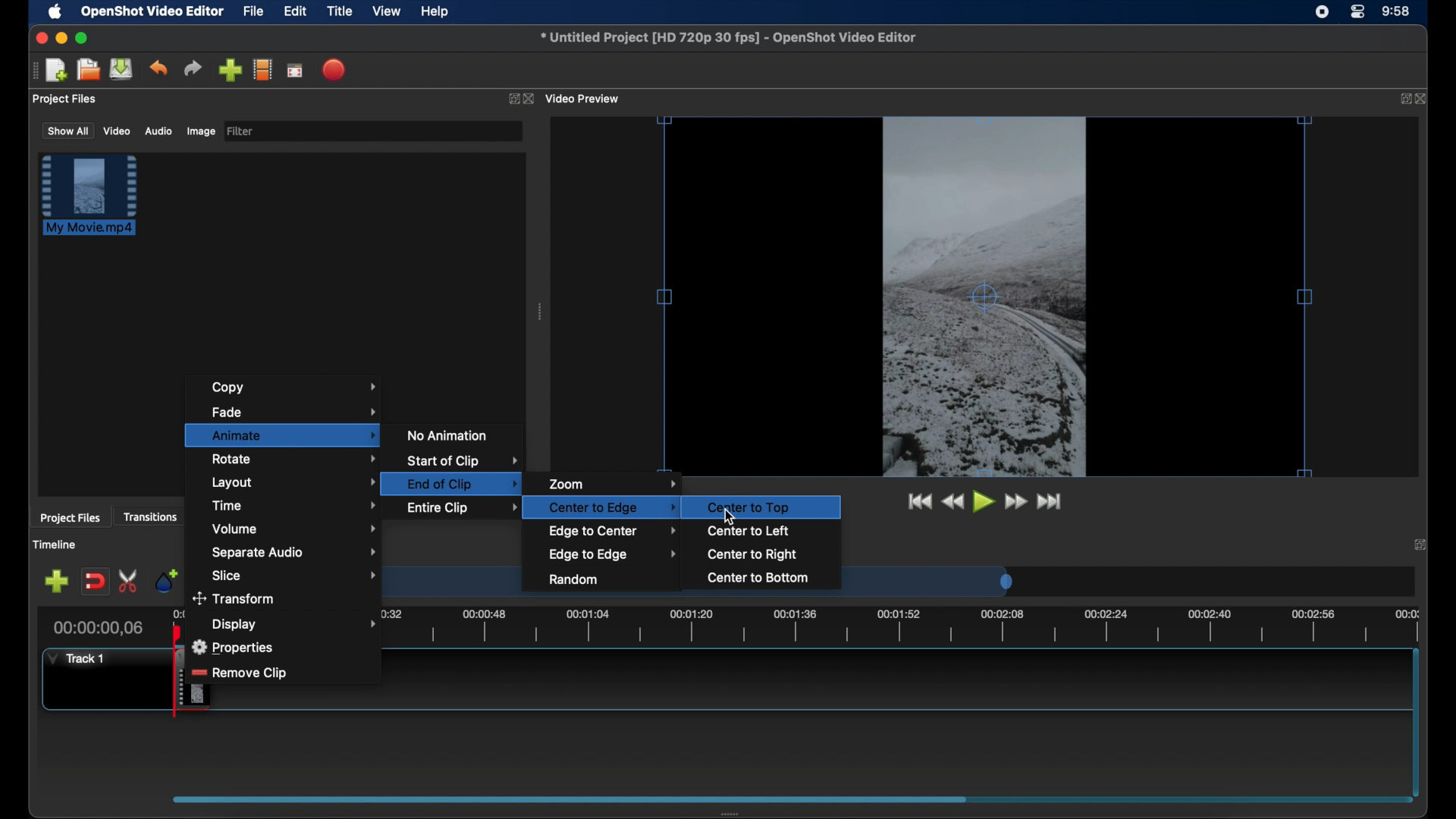 This screenshot has height=819, width=1456. Describe the element at coordinates (984, 502) in the screenshot. I see `play` at that location.